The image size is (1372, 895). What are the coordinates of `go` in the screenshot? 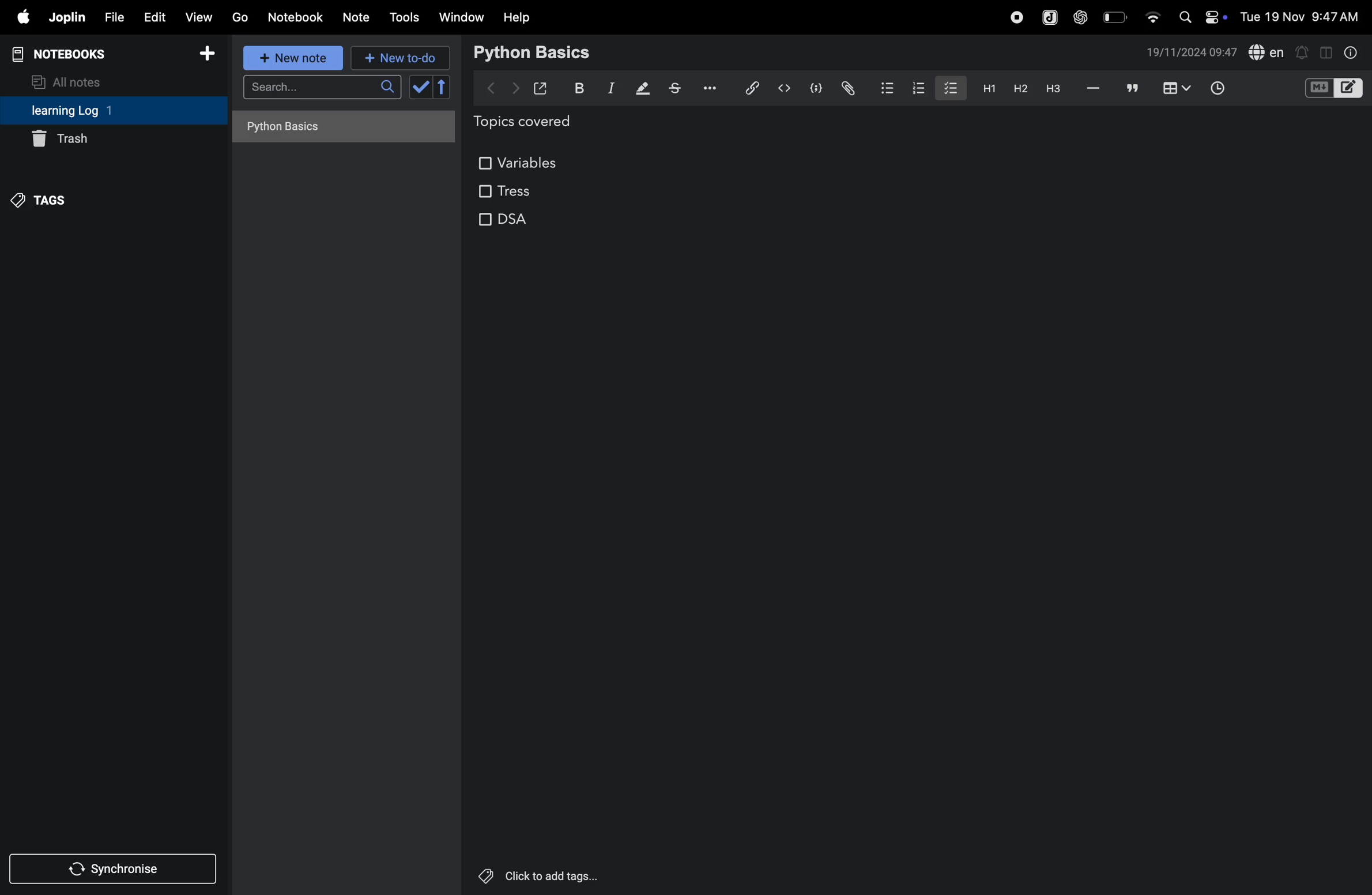 It's located at (239, 17).